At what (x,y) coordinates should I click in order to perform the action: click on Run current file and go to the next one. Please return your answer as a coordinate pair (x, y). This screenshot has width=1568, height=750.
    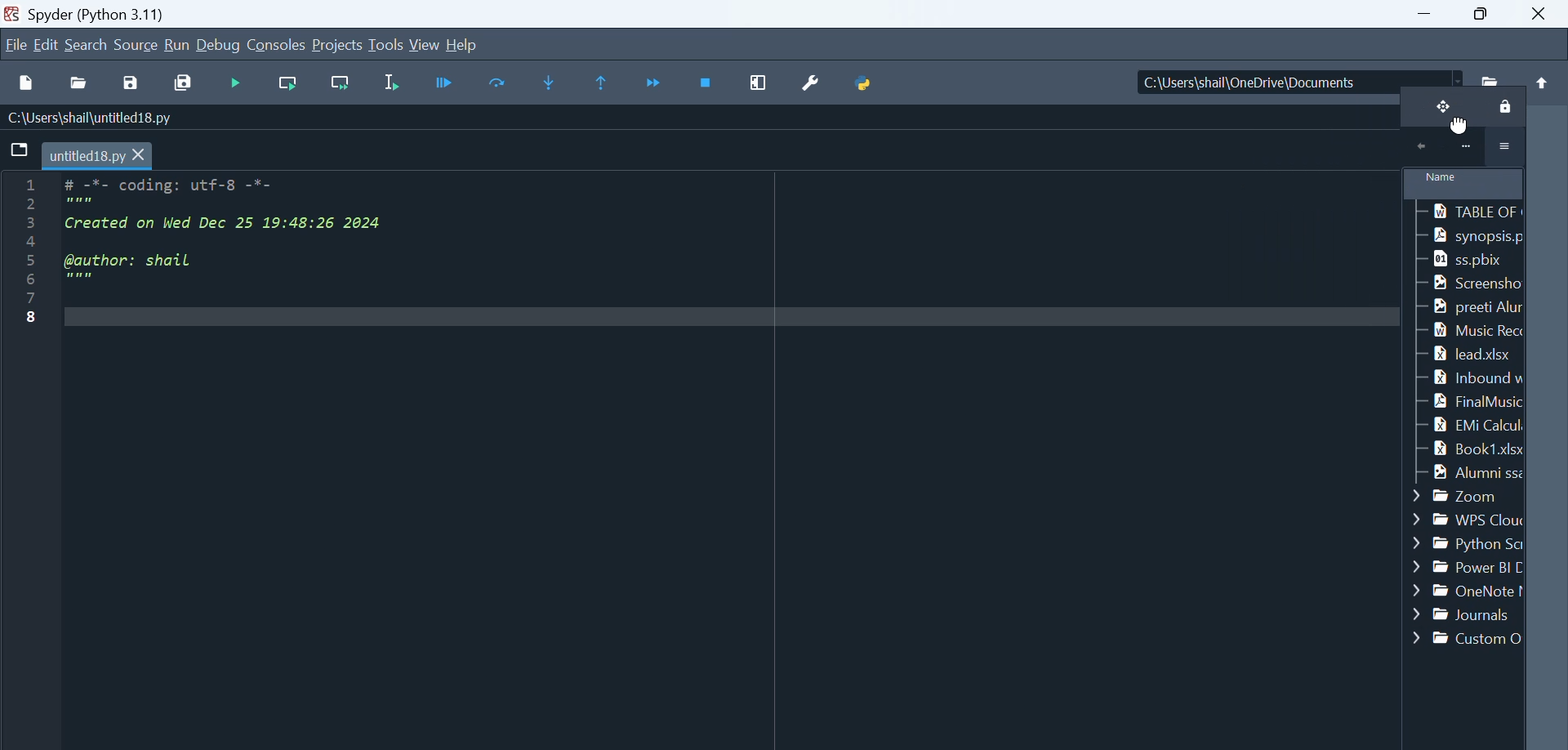
    Looking at the image, I should click on (339, 84).